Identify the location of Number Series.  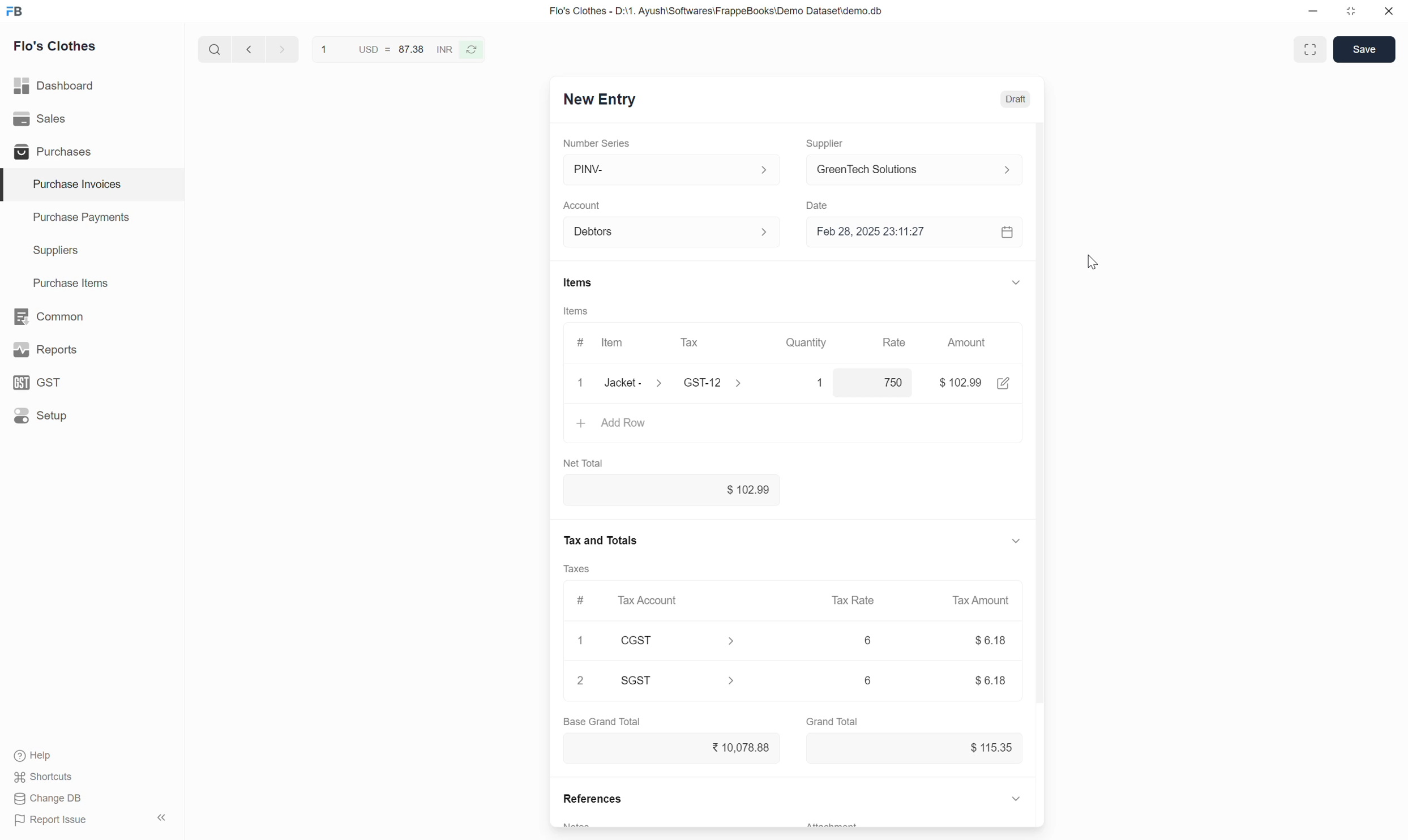
(596, 143).